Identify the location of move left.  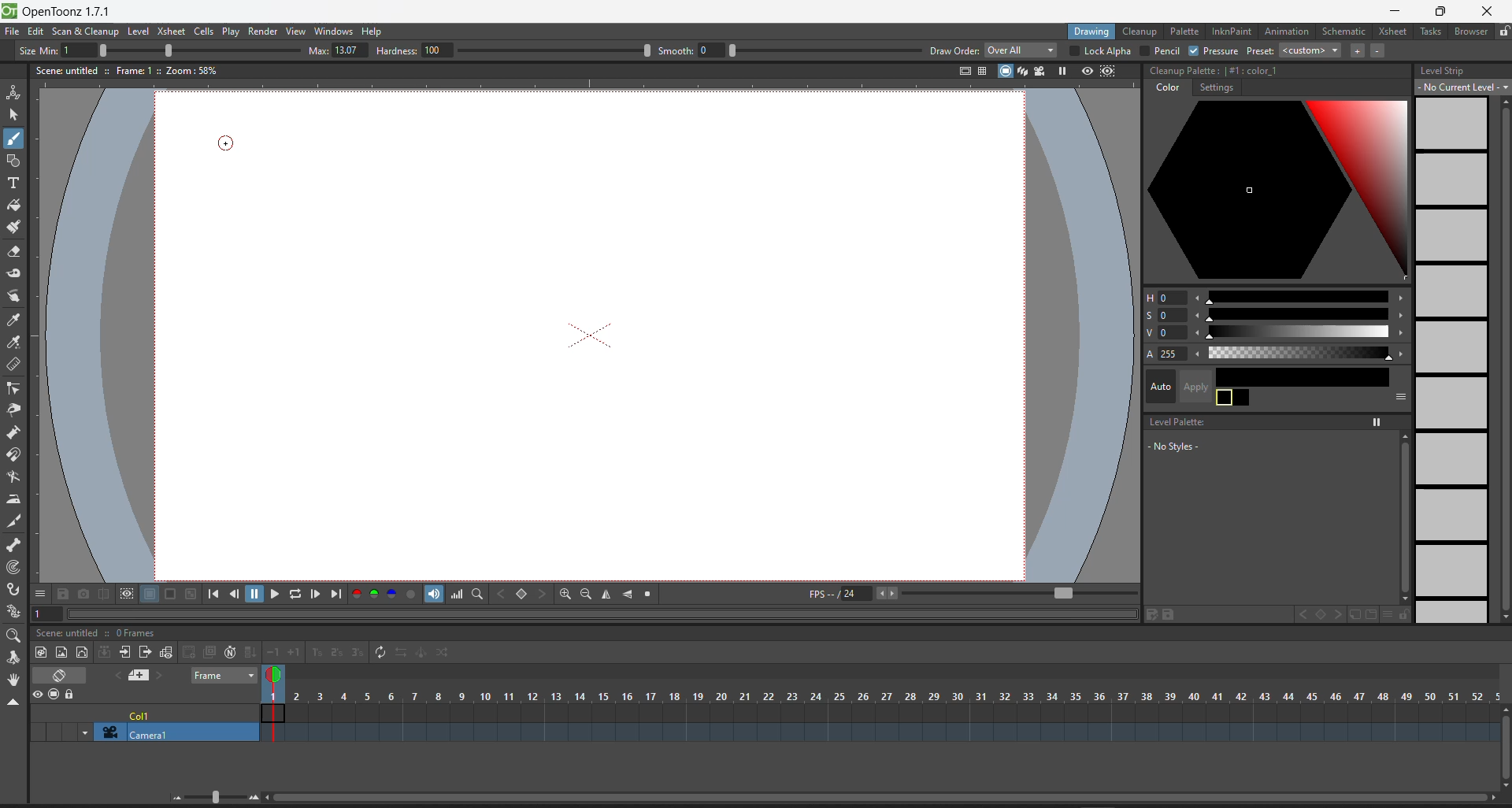
(1199, 297).